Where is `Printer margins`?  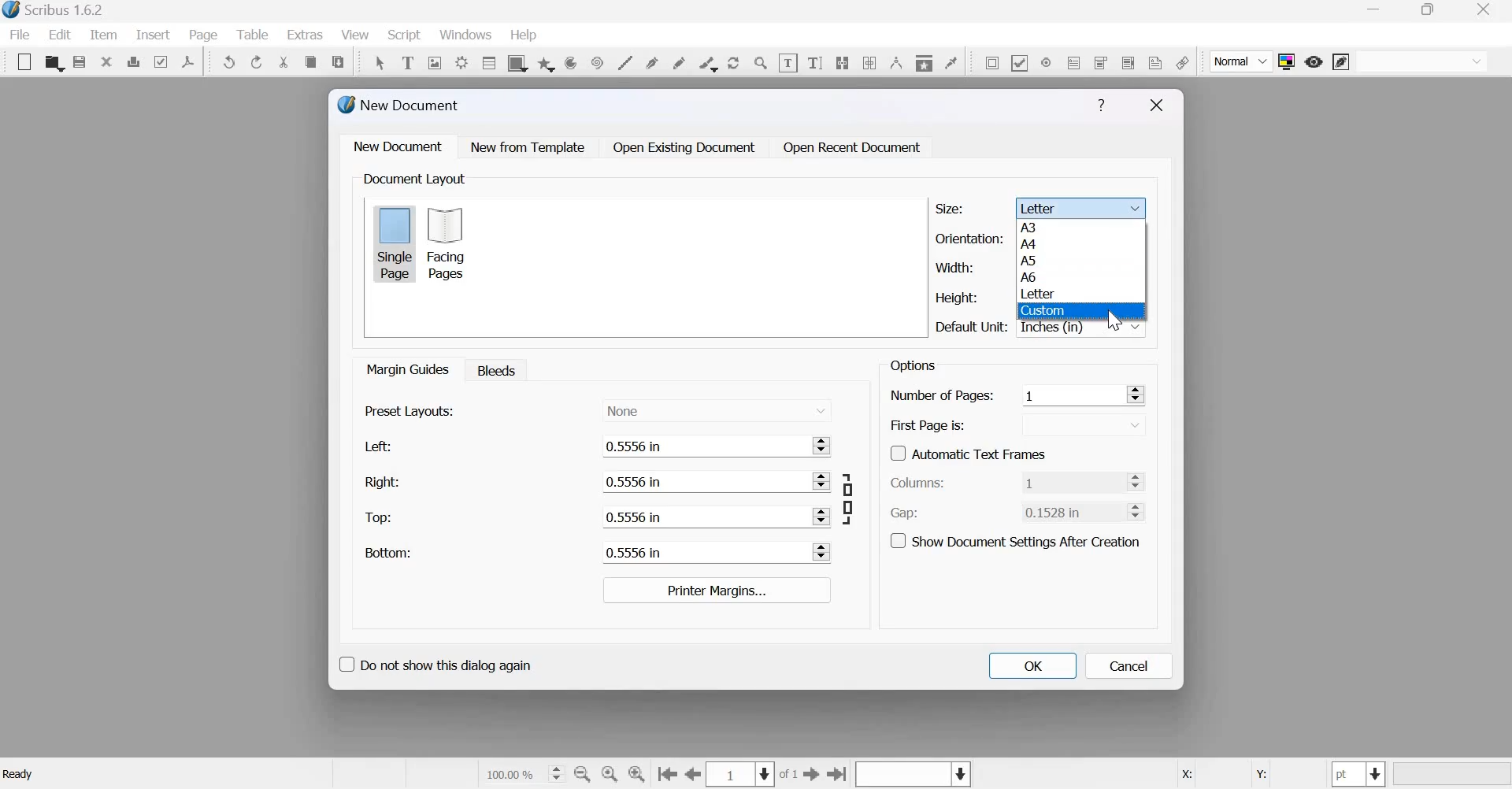
Printer margins is located at coordinates (715, 590).